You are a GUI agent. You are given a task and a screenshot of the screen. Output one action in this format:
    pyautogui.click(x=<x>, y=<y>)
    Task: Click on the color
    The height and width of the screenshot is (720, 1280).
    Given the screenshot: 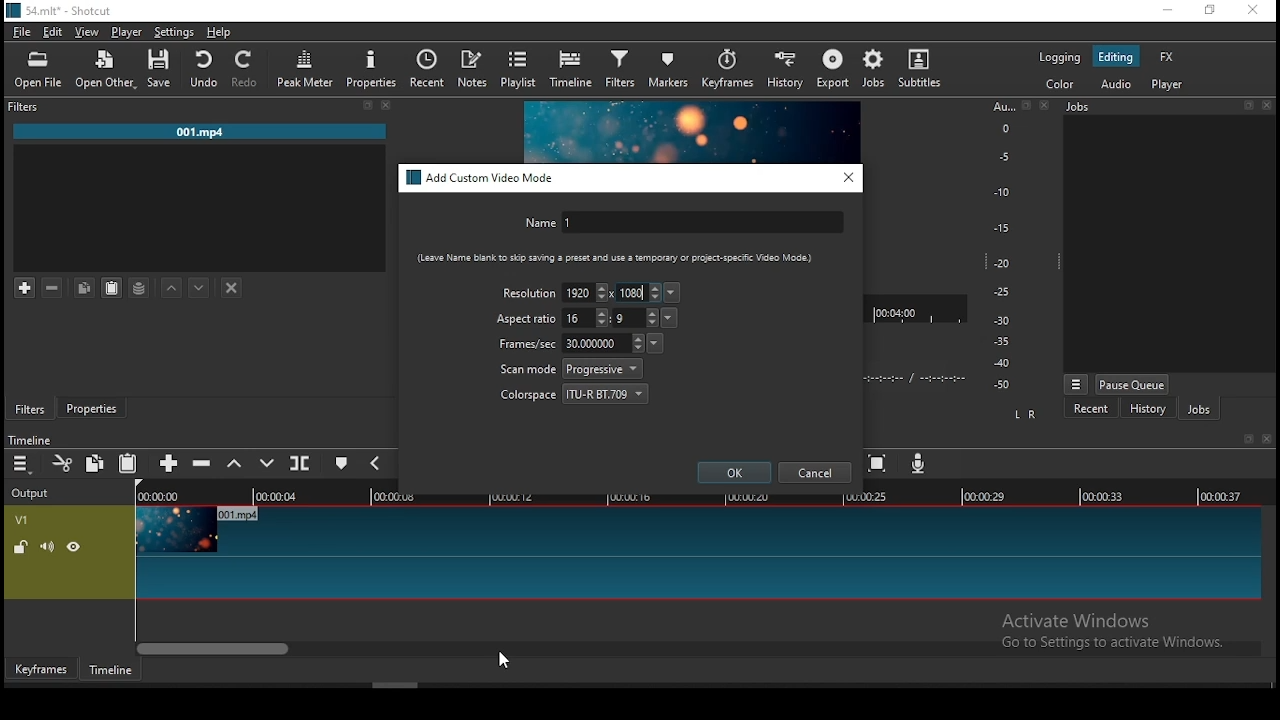 What is the action you would take?
    pyautogui.click(x=1059, y=83)
    